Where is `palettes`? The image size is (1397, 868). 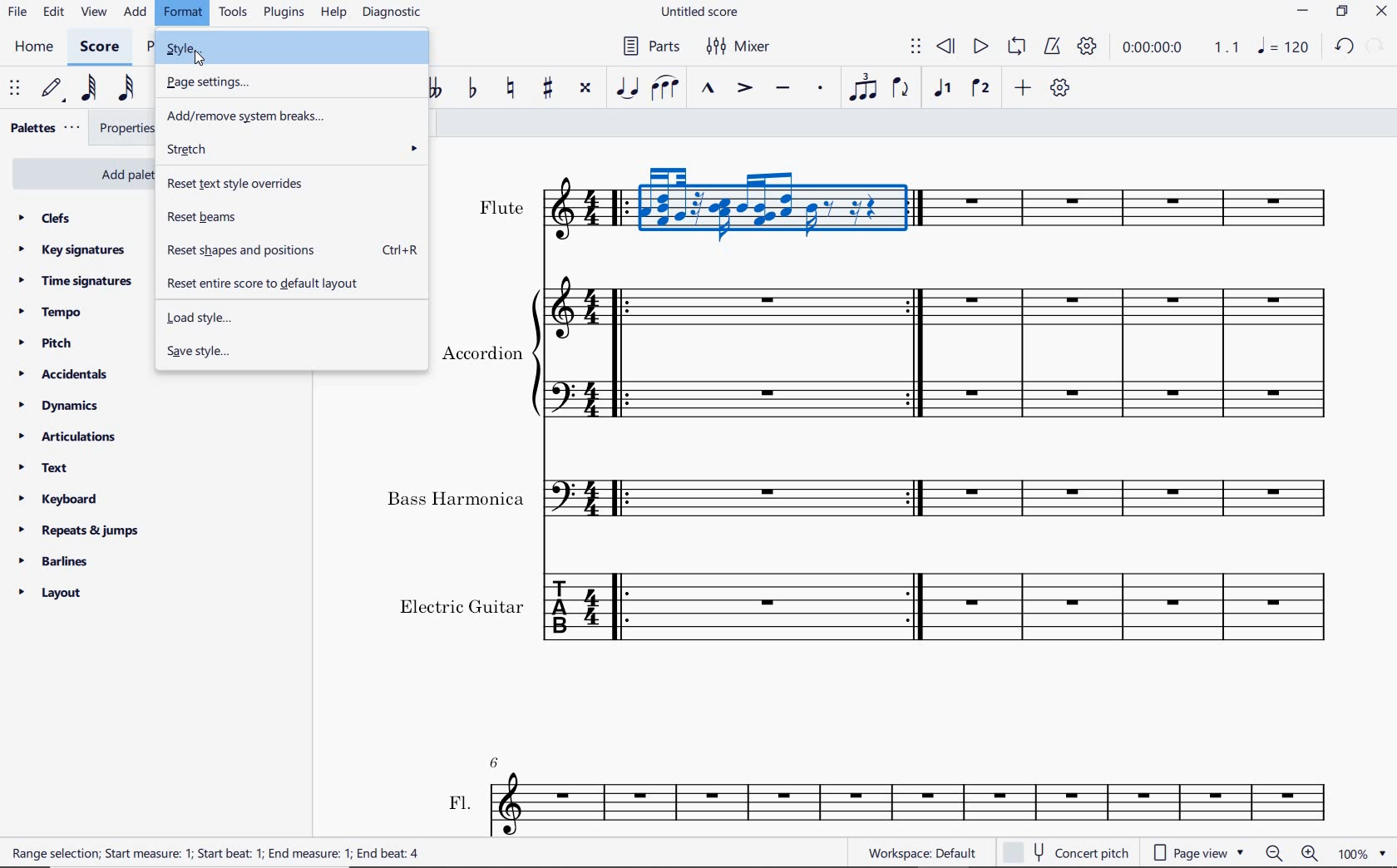 palettes is located at coordinates (43, 131).